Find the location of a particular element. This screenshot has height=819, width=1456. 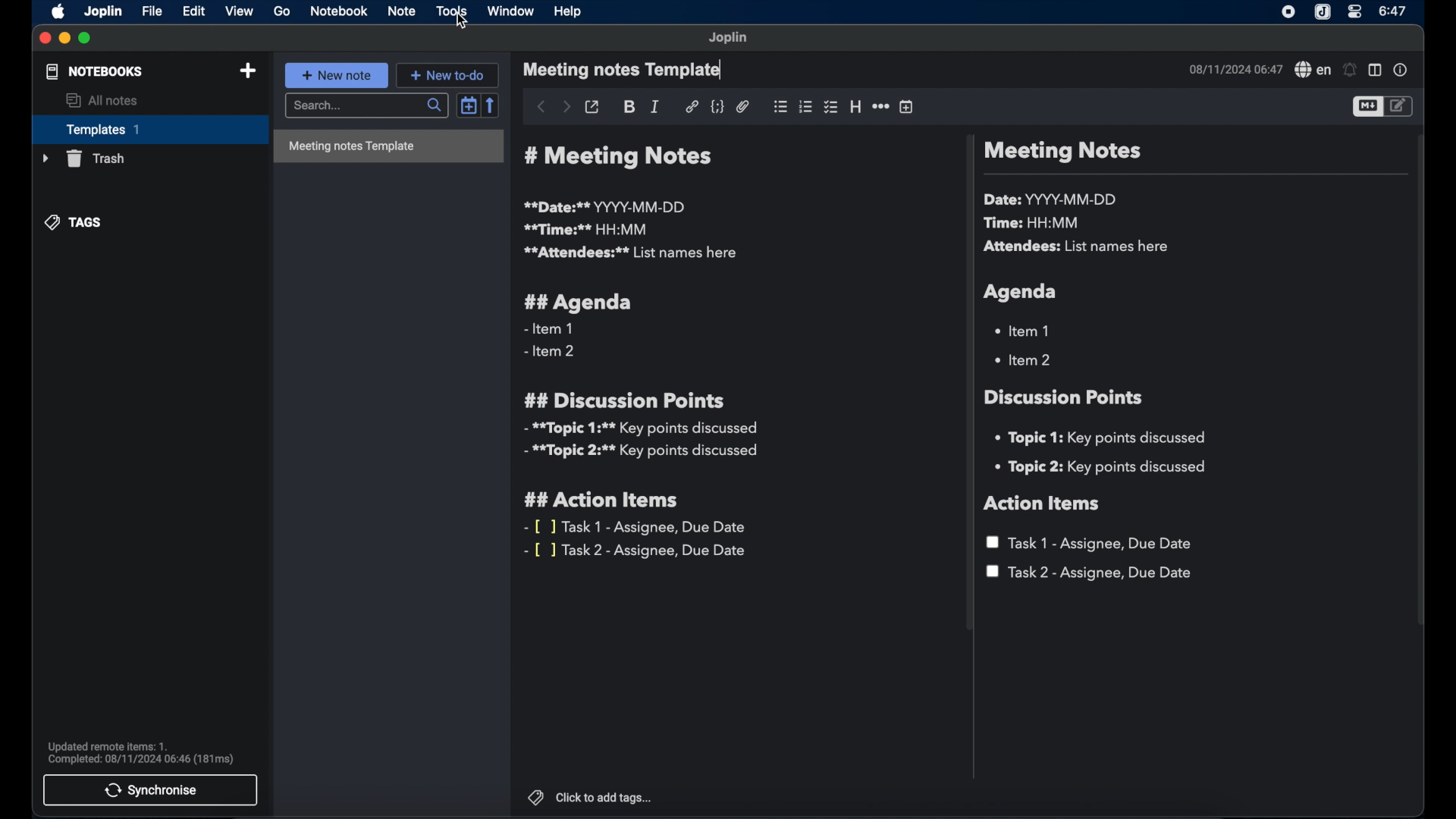

all notes is located at coordinates (102, 101).